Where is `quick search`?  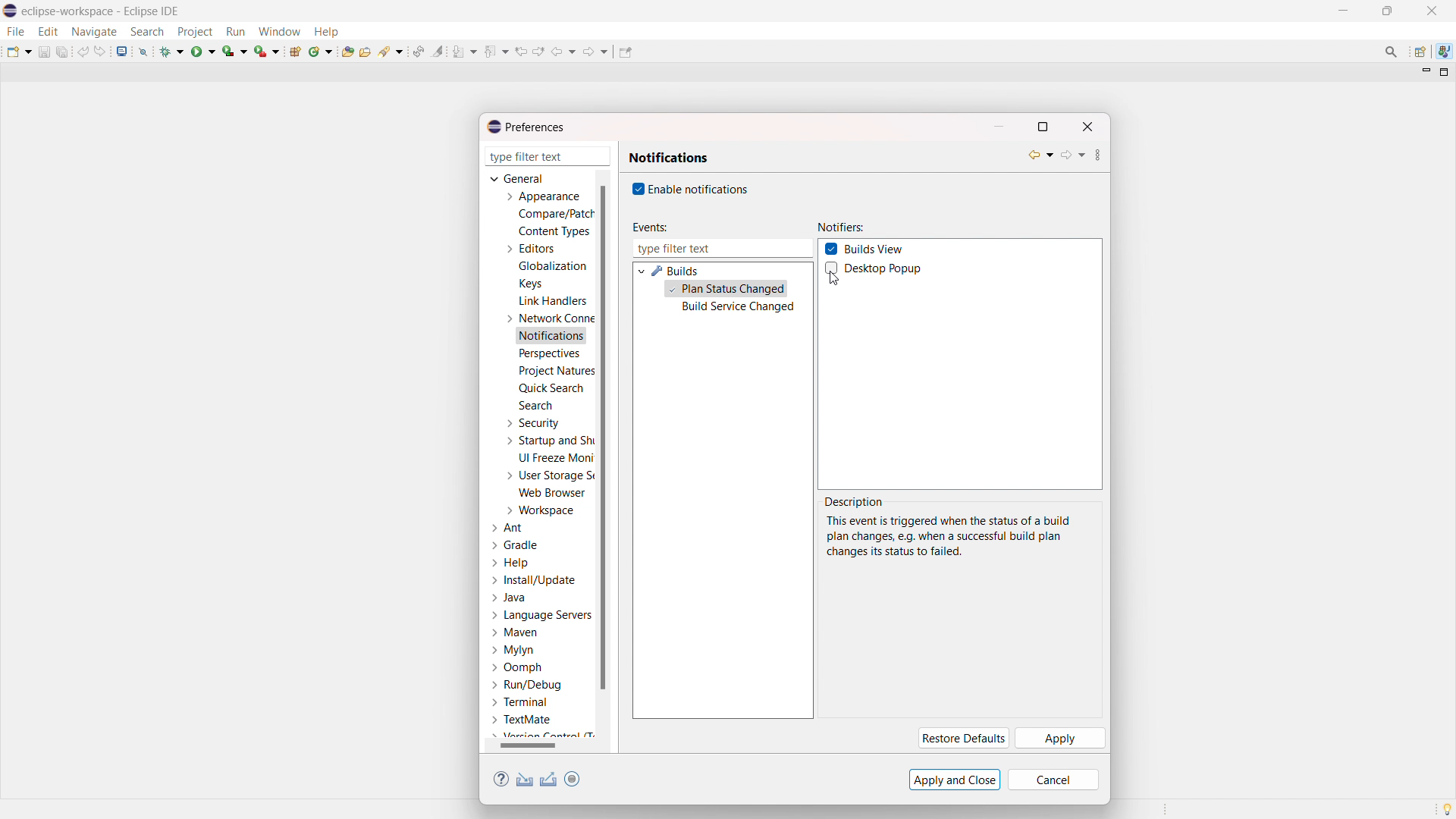 quick search is located at coordinates (551, 388).